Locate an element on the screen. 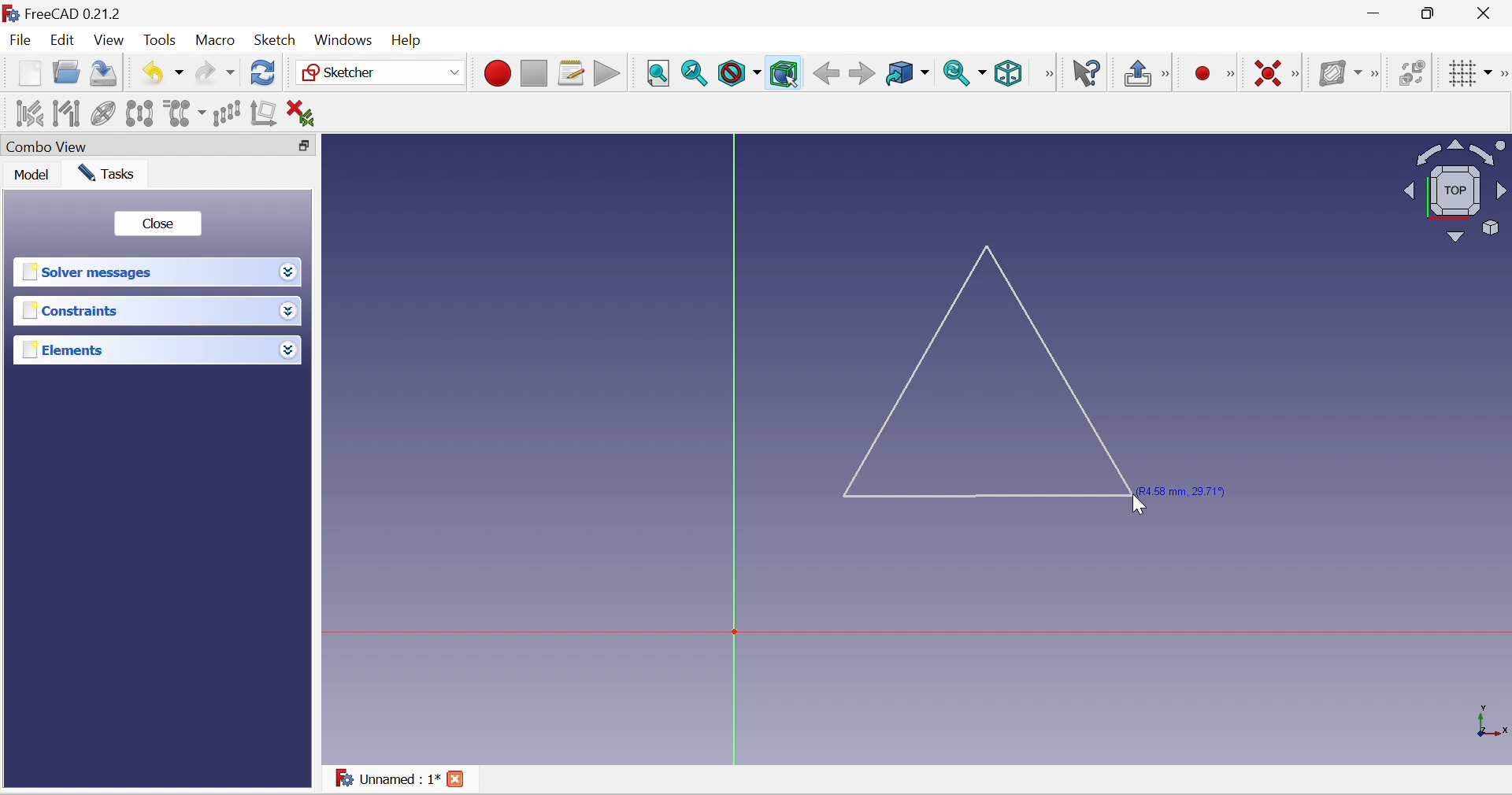 The width and height of the screenshot is (1512, 795). New is located at coordinates (29, 73).